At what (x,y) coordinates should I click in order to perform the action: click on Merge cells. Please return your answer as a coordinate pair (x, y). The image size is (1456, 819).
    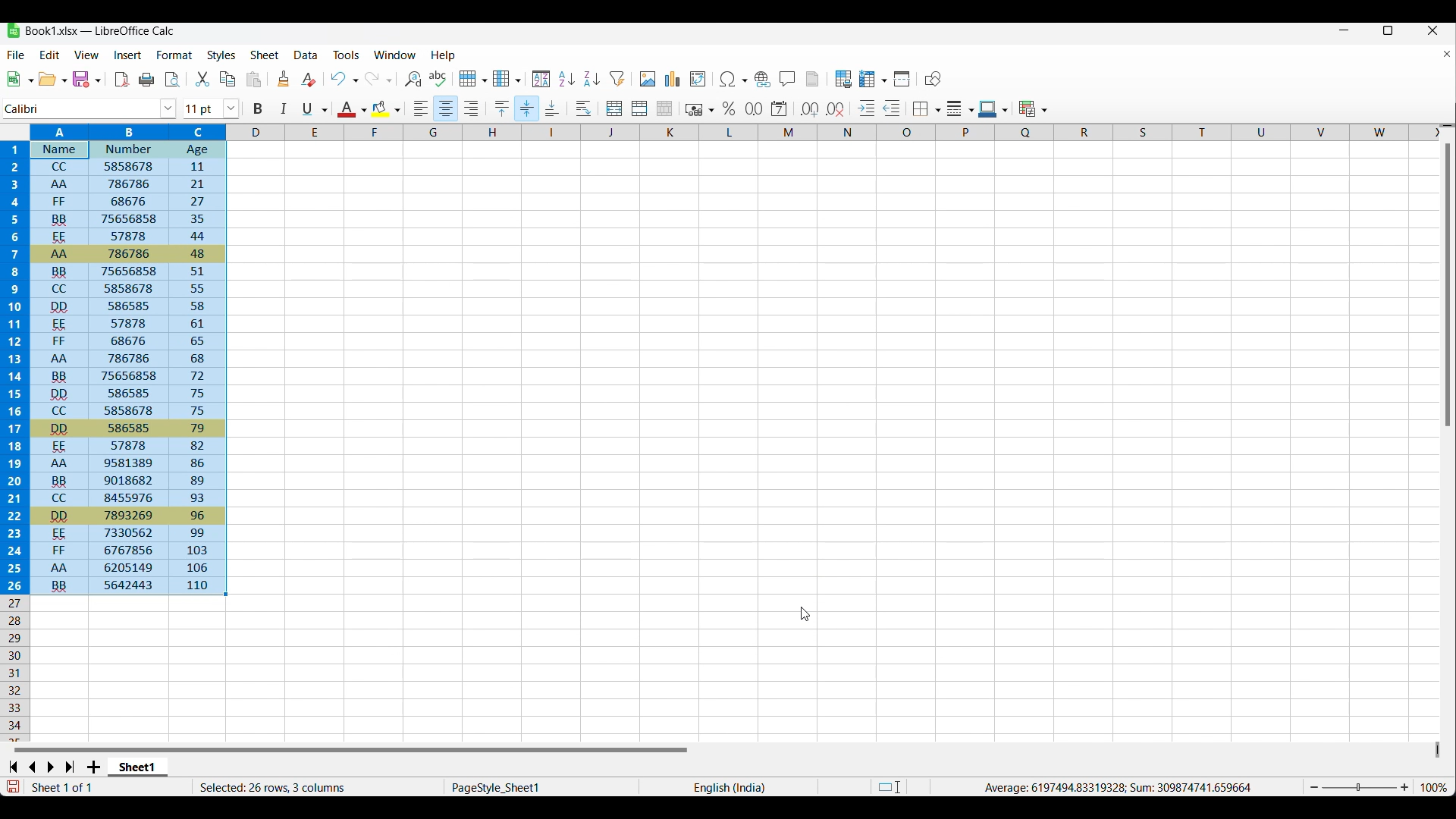
    Looking at the image, I should click on (640, 108).